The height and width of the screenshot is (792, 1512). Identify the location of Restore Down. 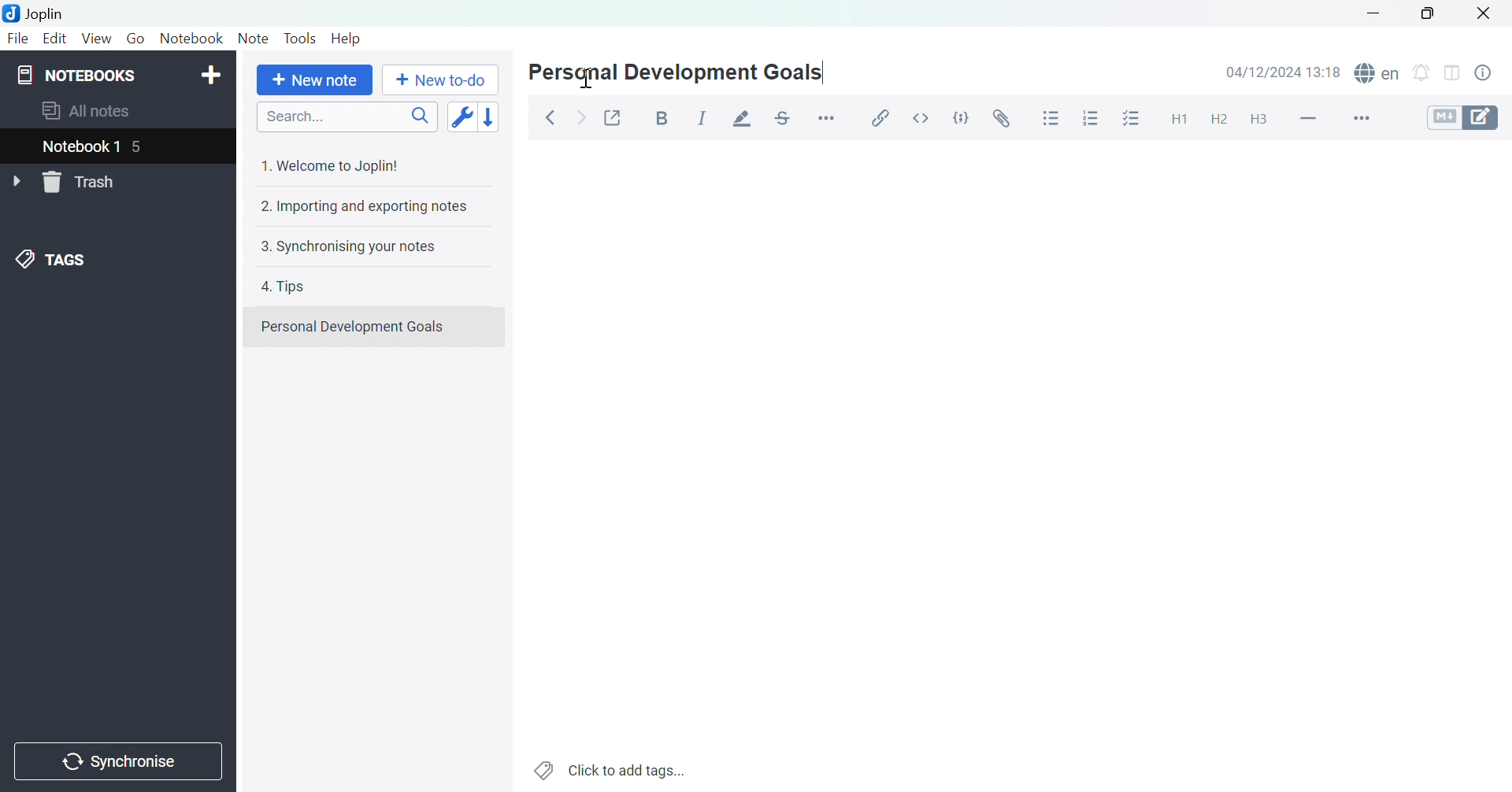
(1429, 17).